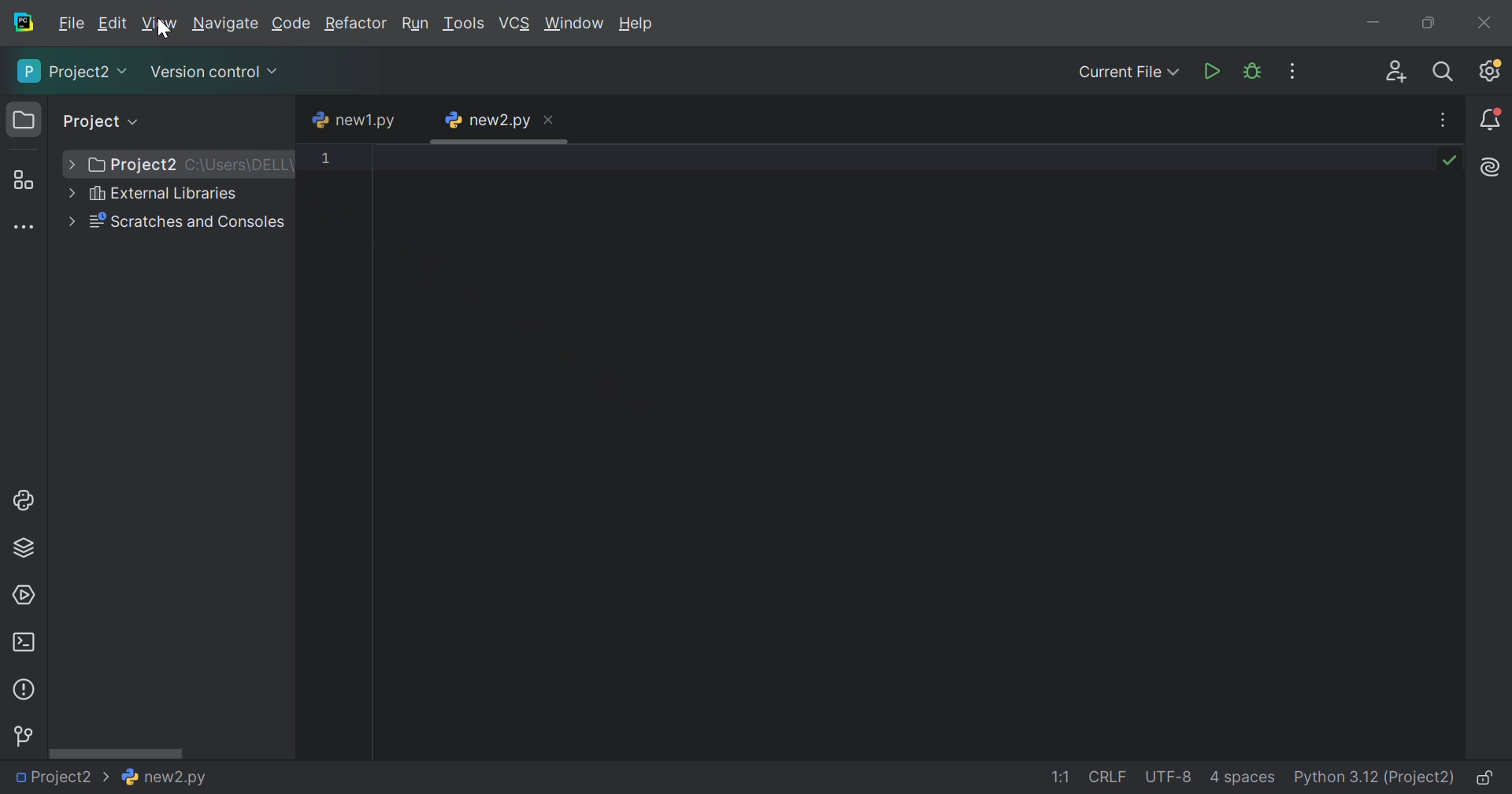 This screenshot has height=794, width=1512. I want to click on Debud, so click(1252, 73).